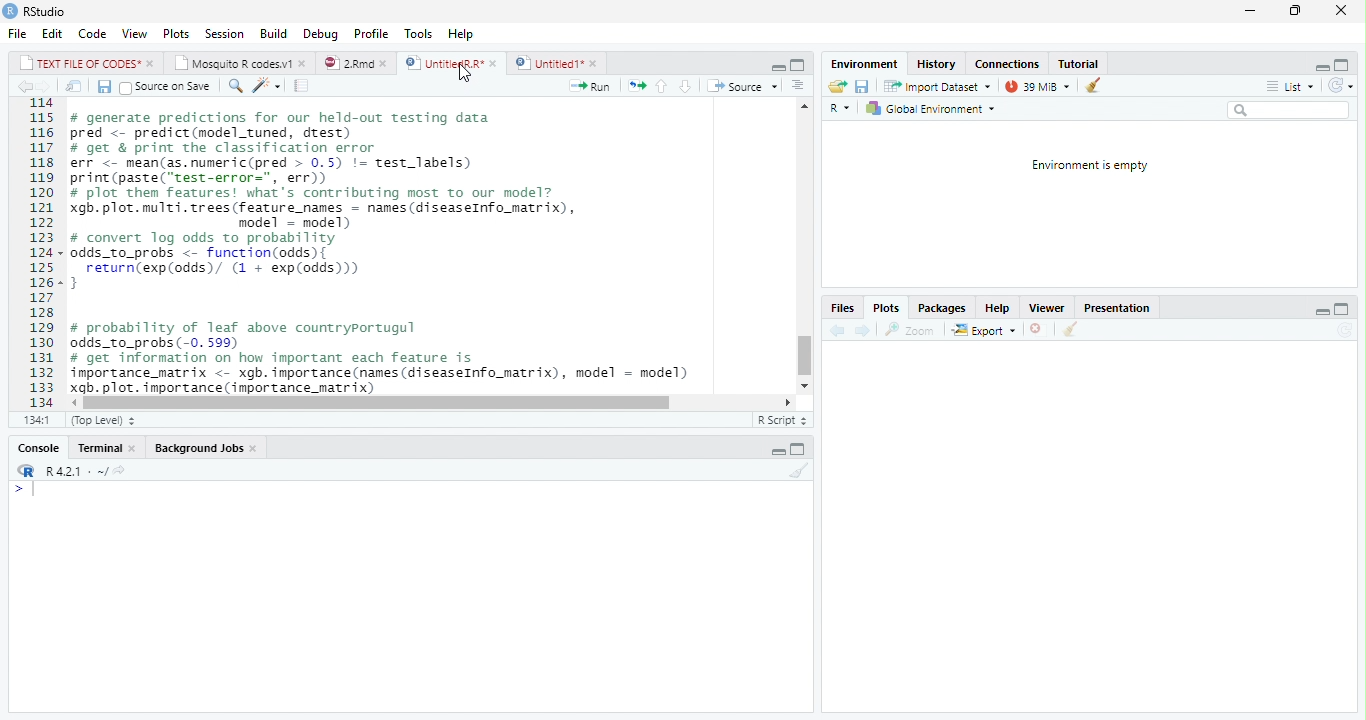  What do you see at coordinates (1341, 307) in the screenshot?
I see `Maximize` at bounding box center [1341, 307].